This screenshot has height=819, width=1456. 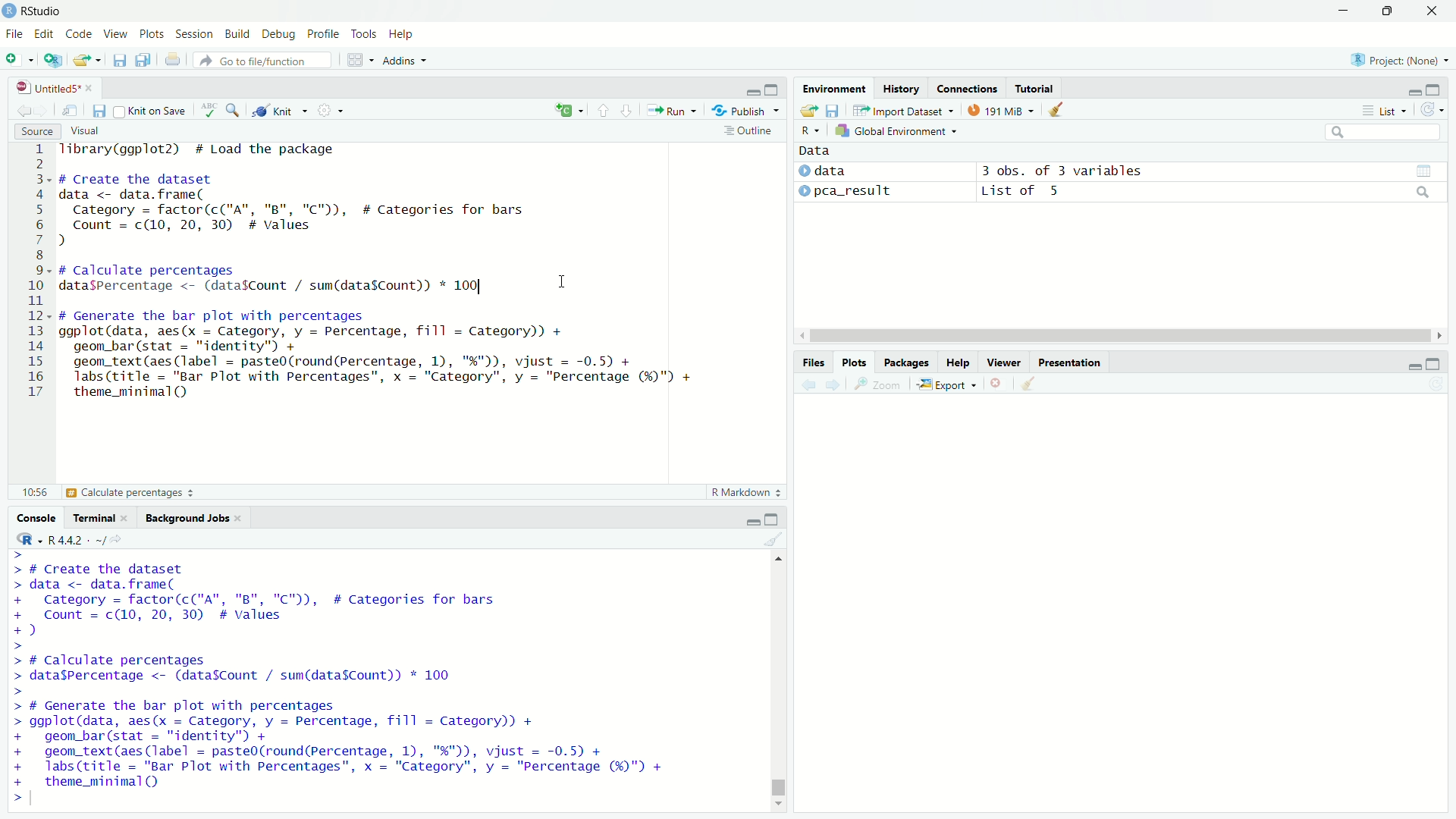 I want to click on addins, so click(x=403, y=60).